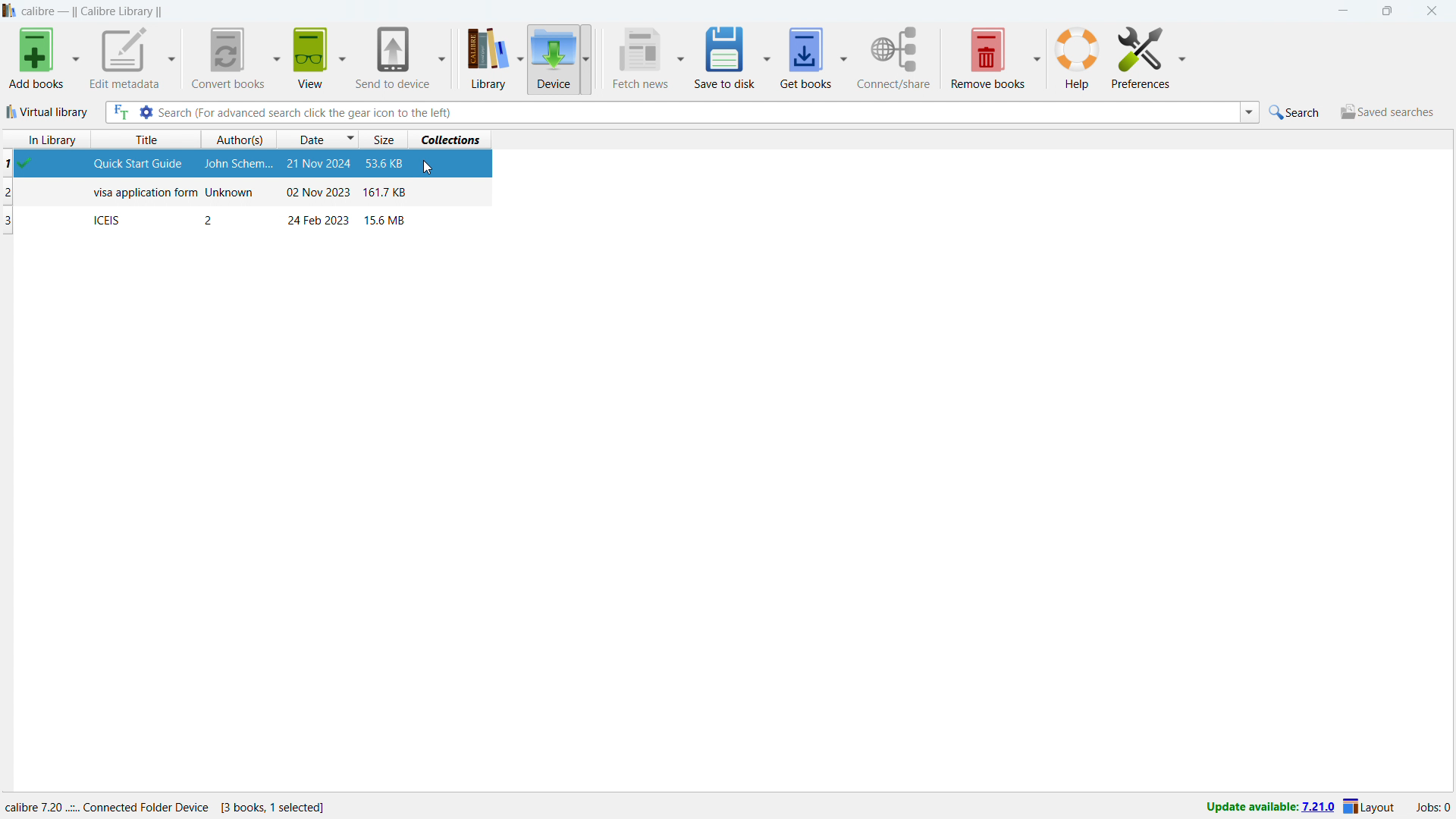 The height and width of the screenshot is (819, 1456). I want to click on sort by size, so click(385, 139).